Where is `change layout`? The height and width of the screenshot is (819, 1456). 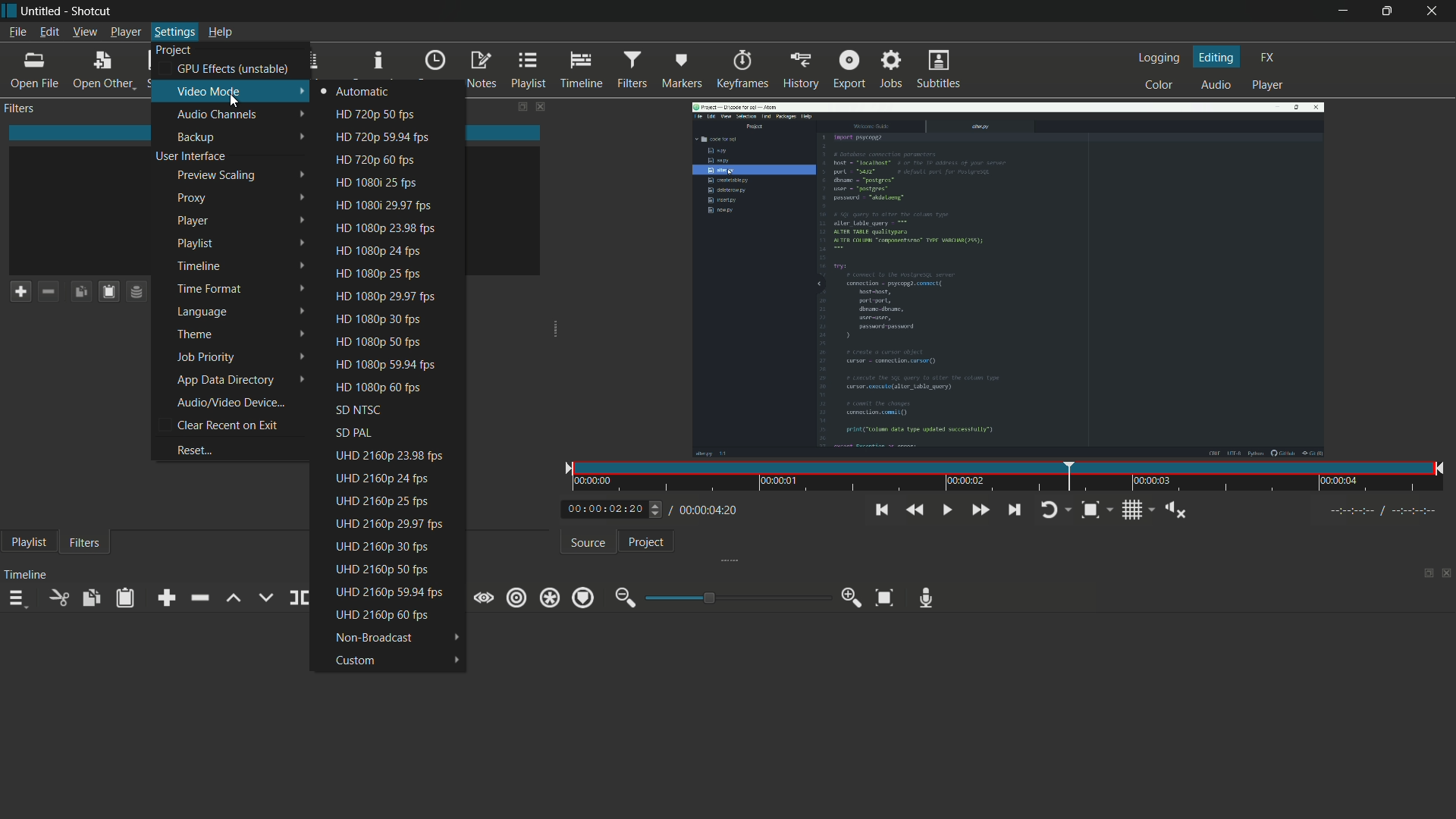
change layout is located at coordinates (1422, 574).